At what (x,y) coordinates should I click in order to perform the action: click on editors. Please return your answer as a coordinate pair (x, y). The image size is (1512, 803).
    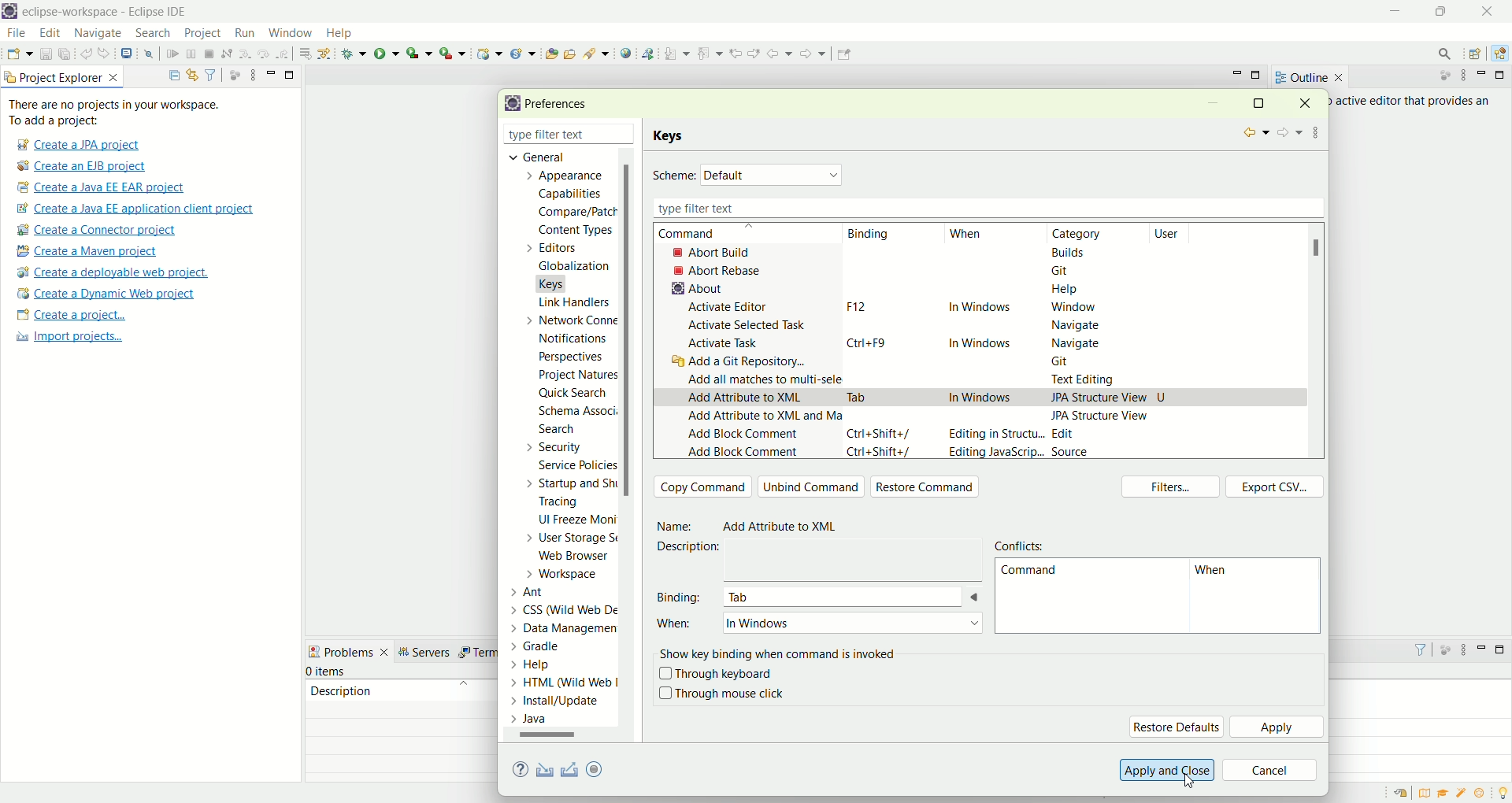
    Looking at the image, I should click on (561, 247).